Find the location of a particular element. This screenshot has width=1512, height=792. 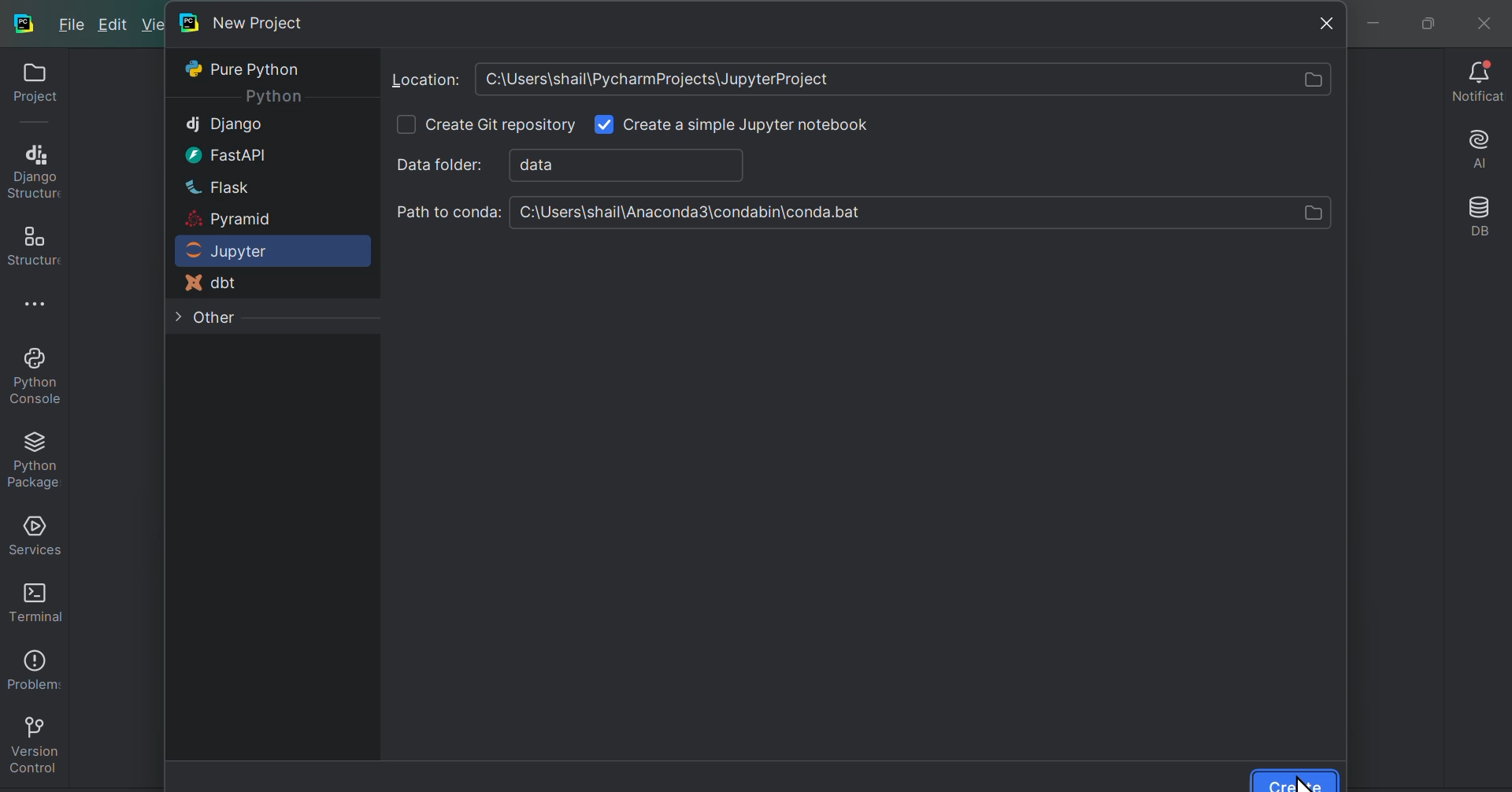

AI assistant is located at coordinates (1476, 147).